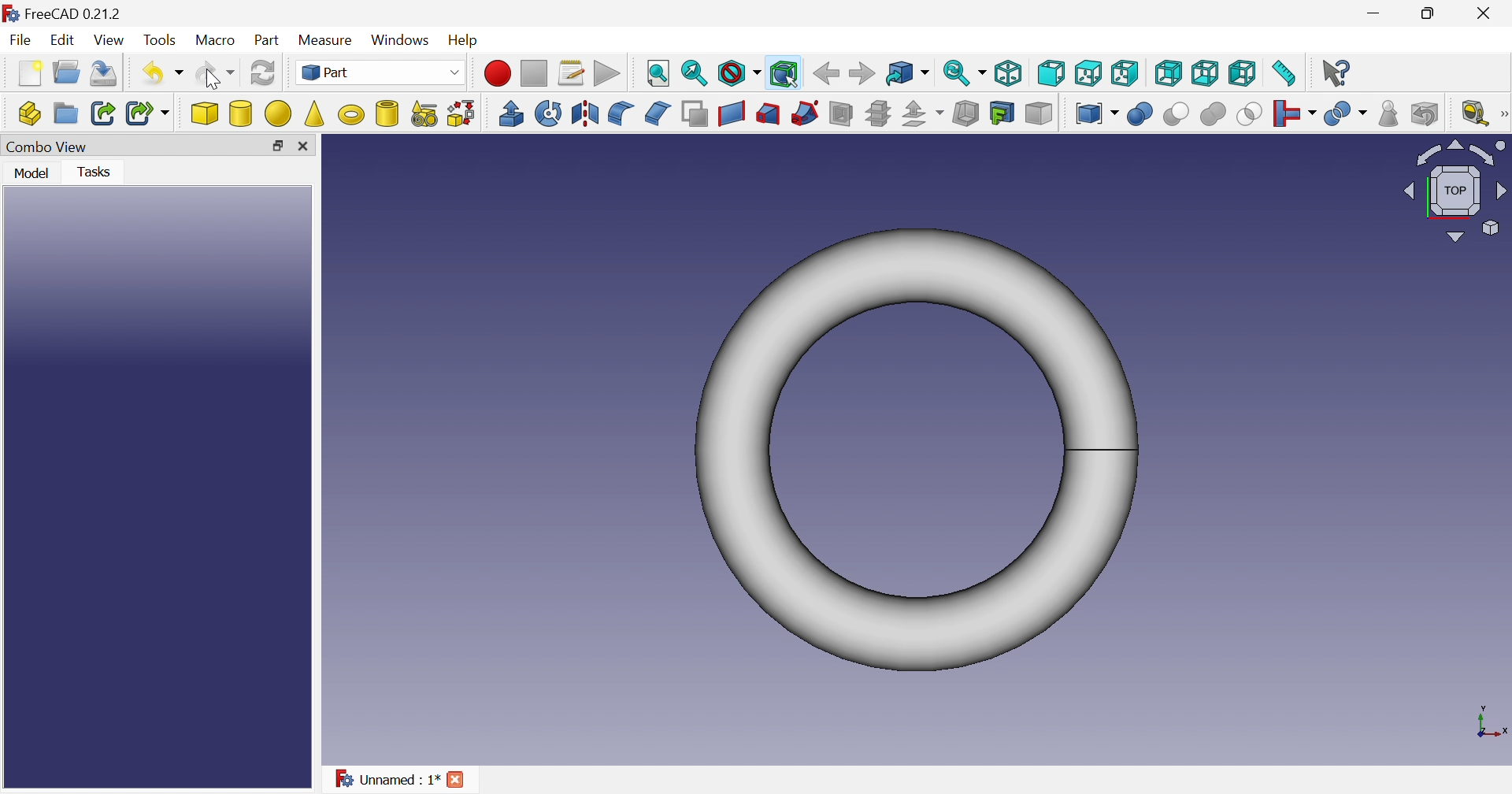 This screenshot has height=794, width=1512. I want to click on Macro recording..., so click(498, 74).